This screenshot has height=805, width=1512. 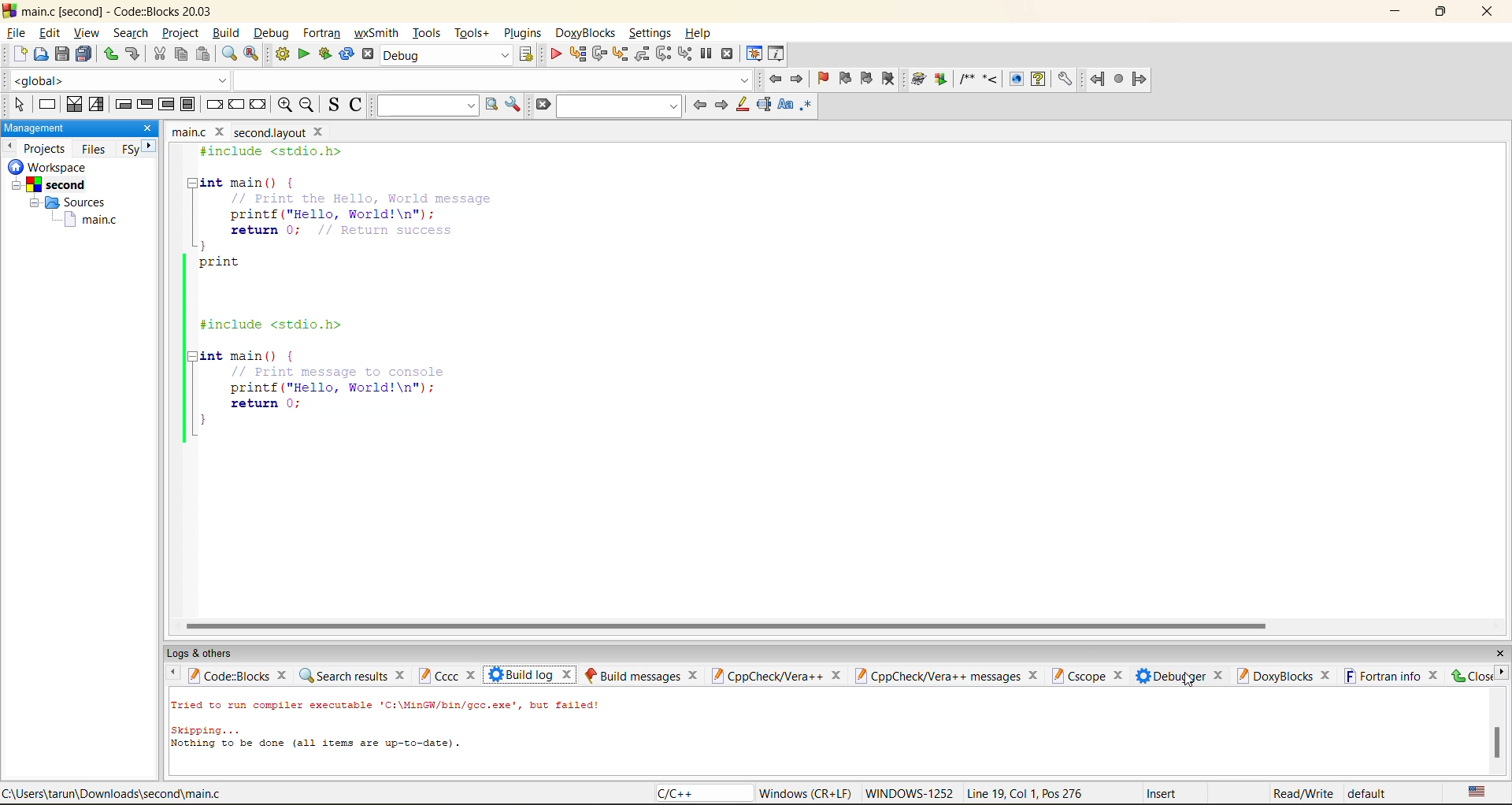 I want to click on step into instruction, so click(x=686, y=54).